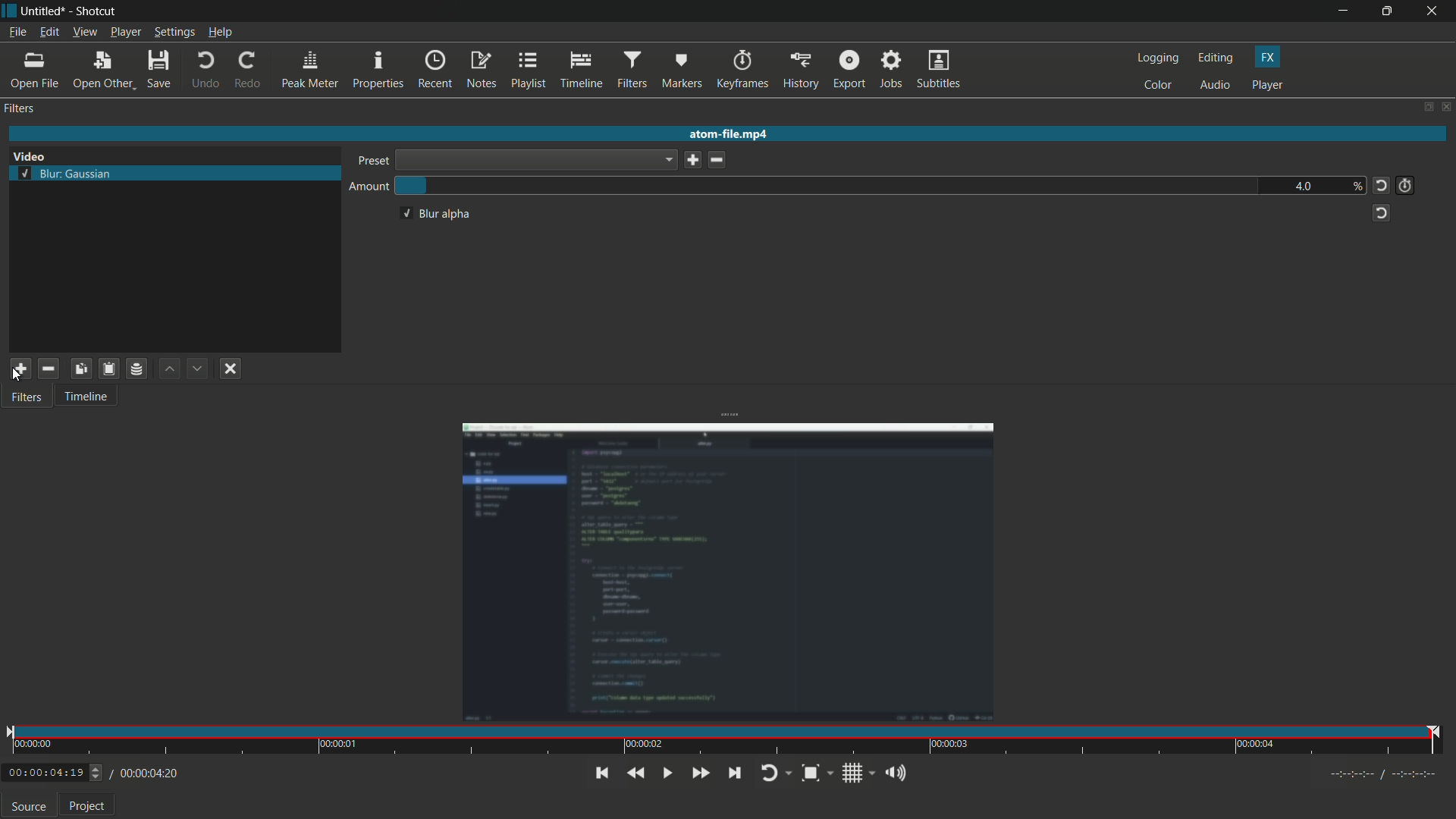 The height and width of the screenshot is (819, 1456). What do you see at coordinates (859, 775) in the screenshot?
I see `toggle grid display` at bounding box center [859, 775].